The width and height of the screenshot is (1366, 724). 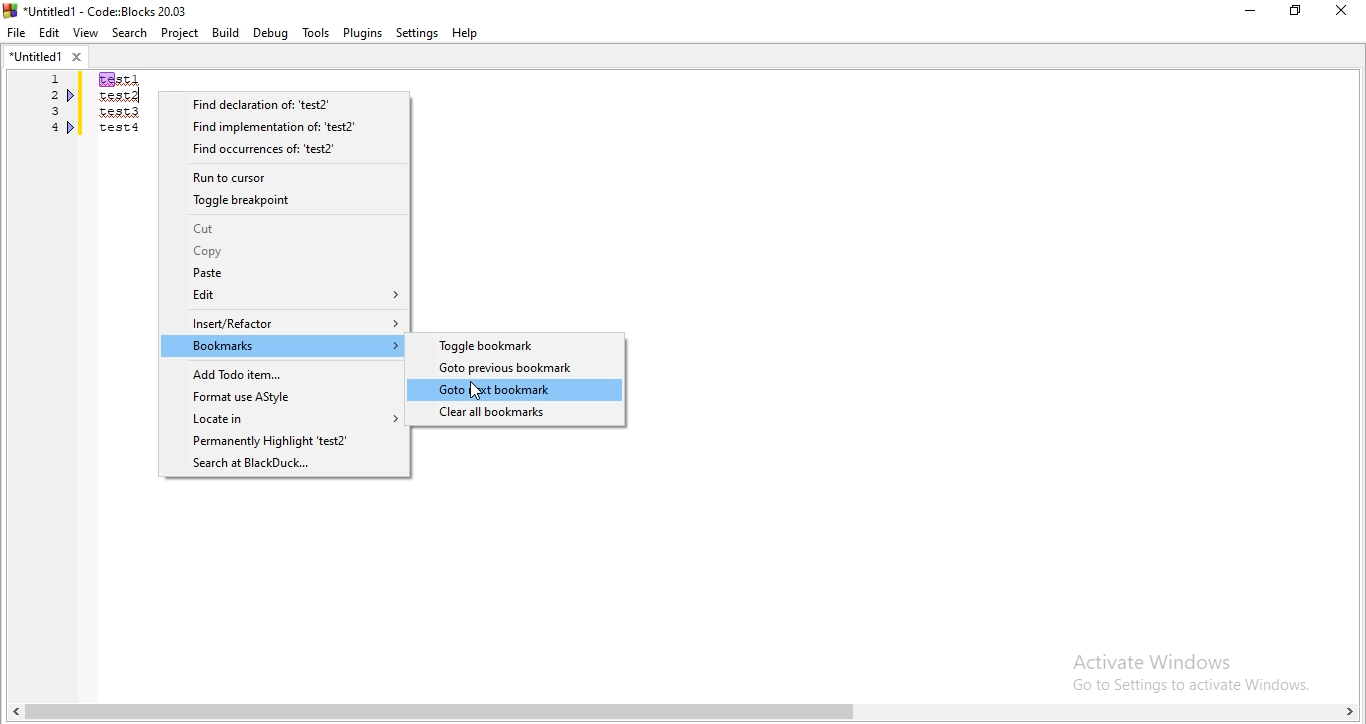 What do you see at coordinates (72, 95) in the screenshot?
I see `Debugger Point in 2 ` at bounding box center [72, 95].